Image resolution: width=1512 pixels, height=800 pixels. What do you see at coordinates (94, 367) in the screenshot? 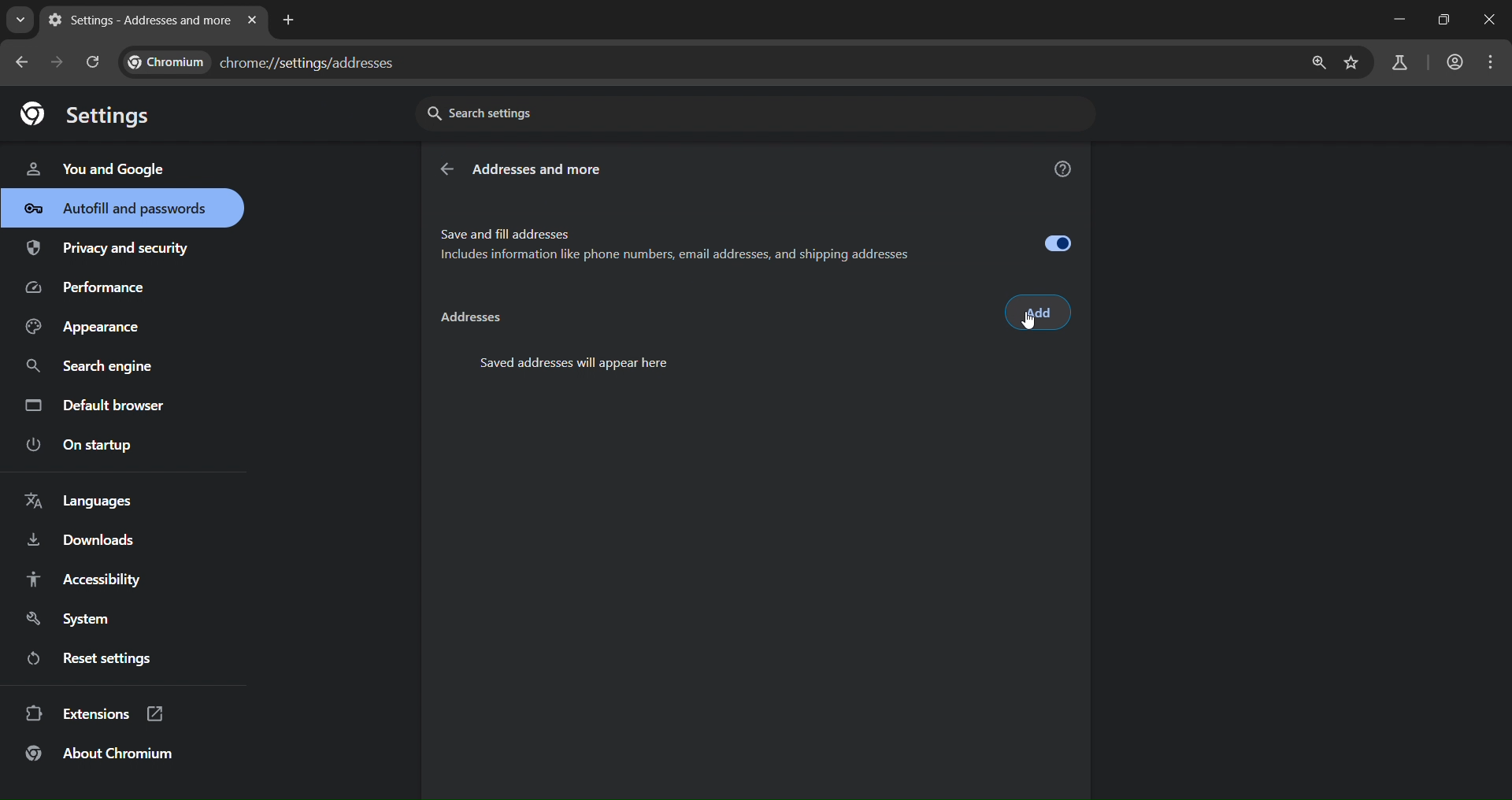
I see `search engine` at bounding box center [94, 367].